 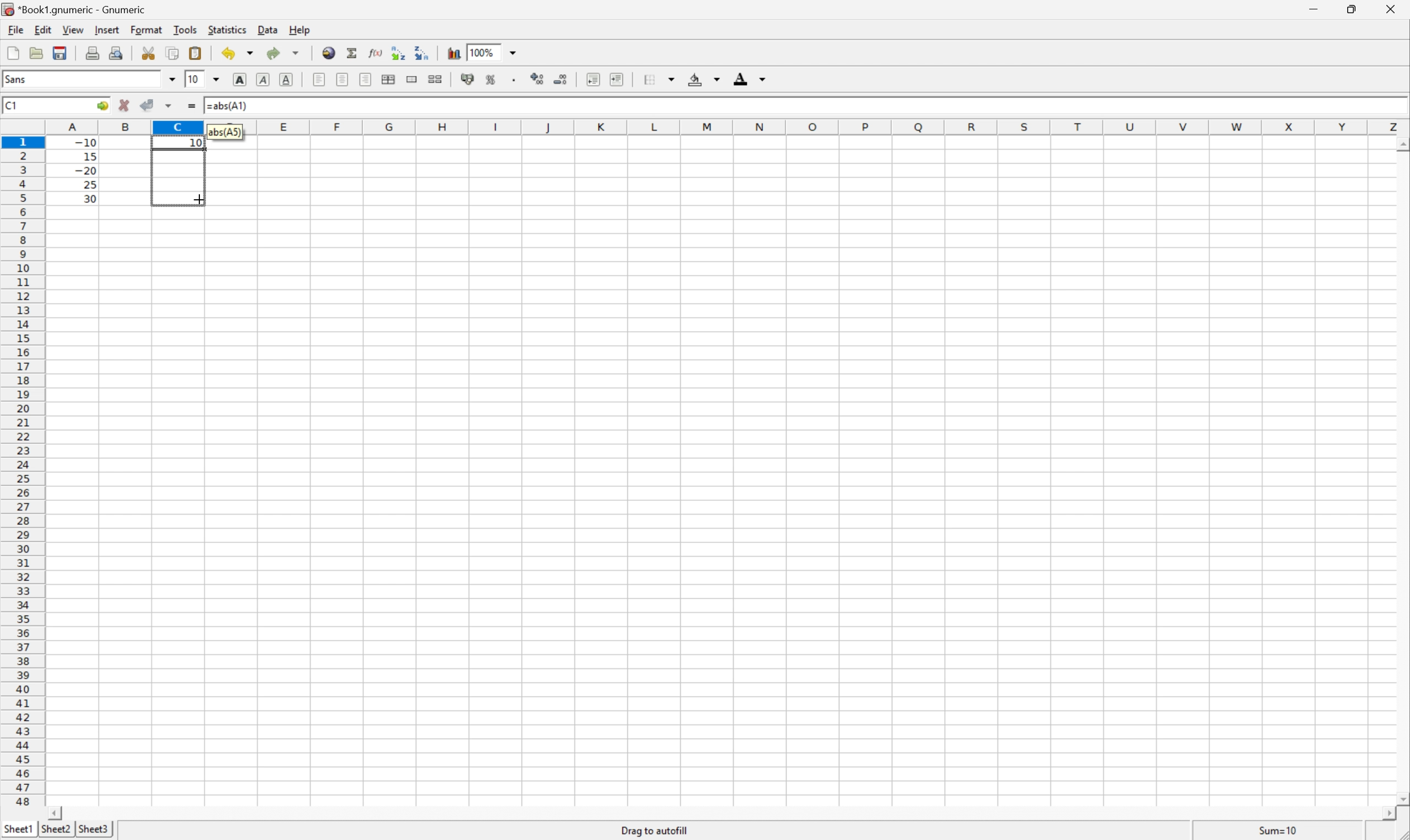 I want to click on Drag to autofill, so click(x=655, y=830).